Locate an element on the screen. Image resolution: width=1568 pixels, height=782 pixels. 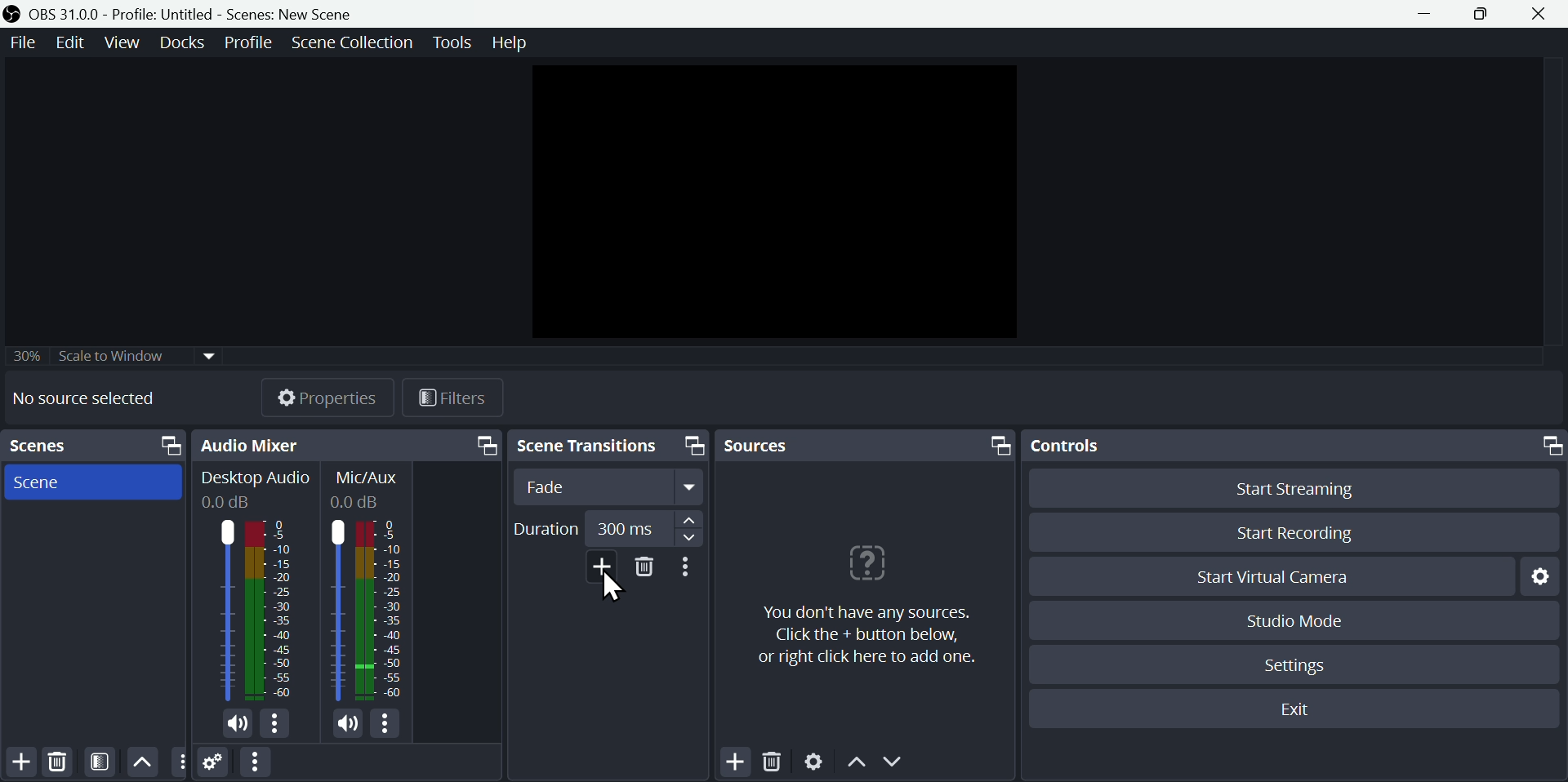
Filter is located at coordinates (103, 762).